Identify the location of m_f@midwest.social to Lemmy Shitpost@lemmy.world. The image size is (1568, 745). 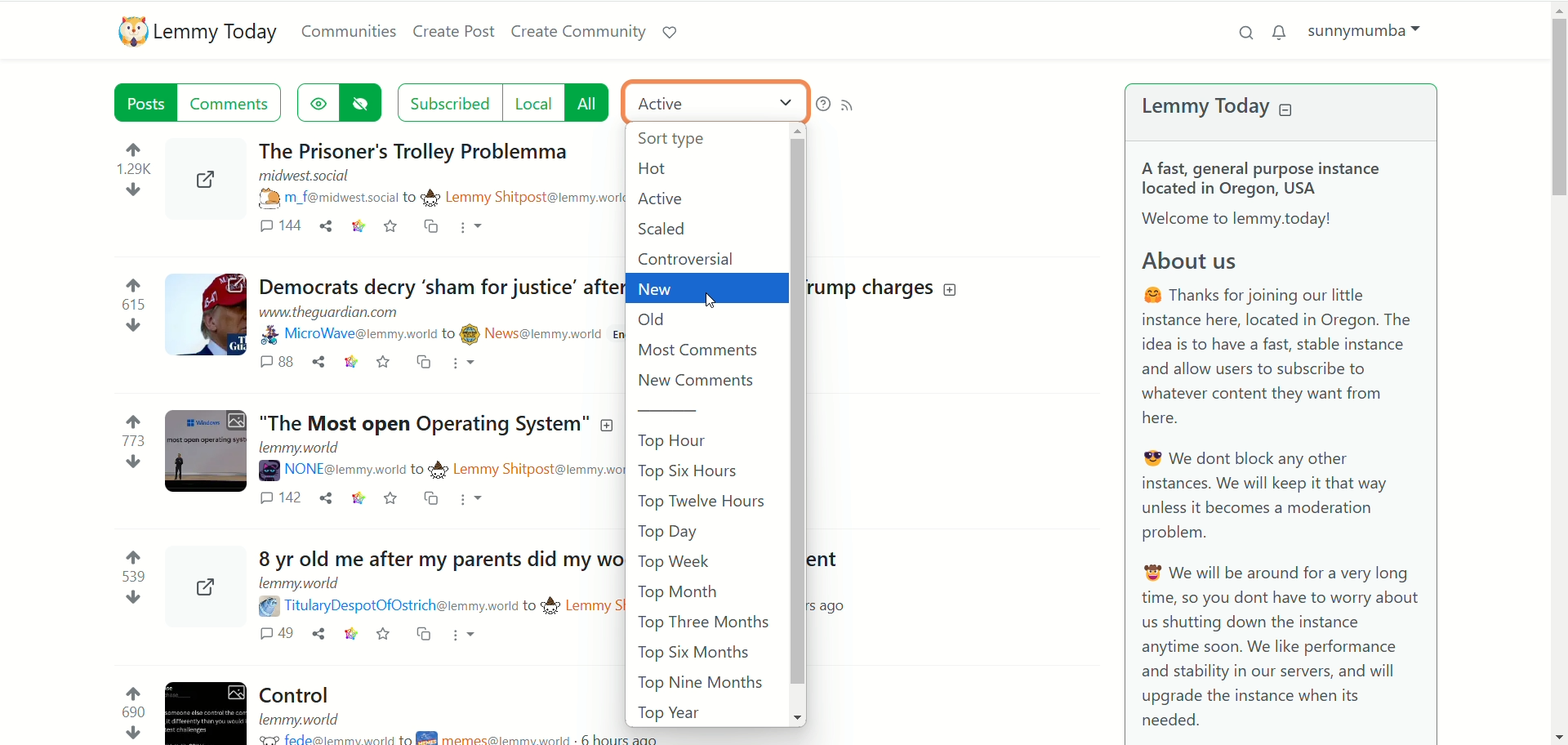
(440, 197).